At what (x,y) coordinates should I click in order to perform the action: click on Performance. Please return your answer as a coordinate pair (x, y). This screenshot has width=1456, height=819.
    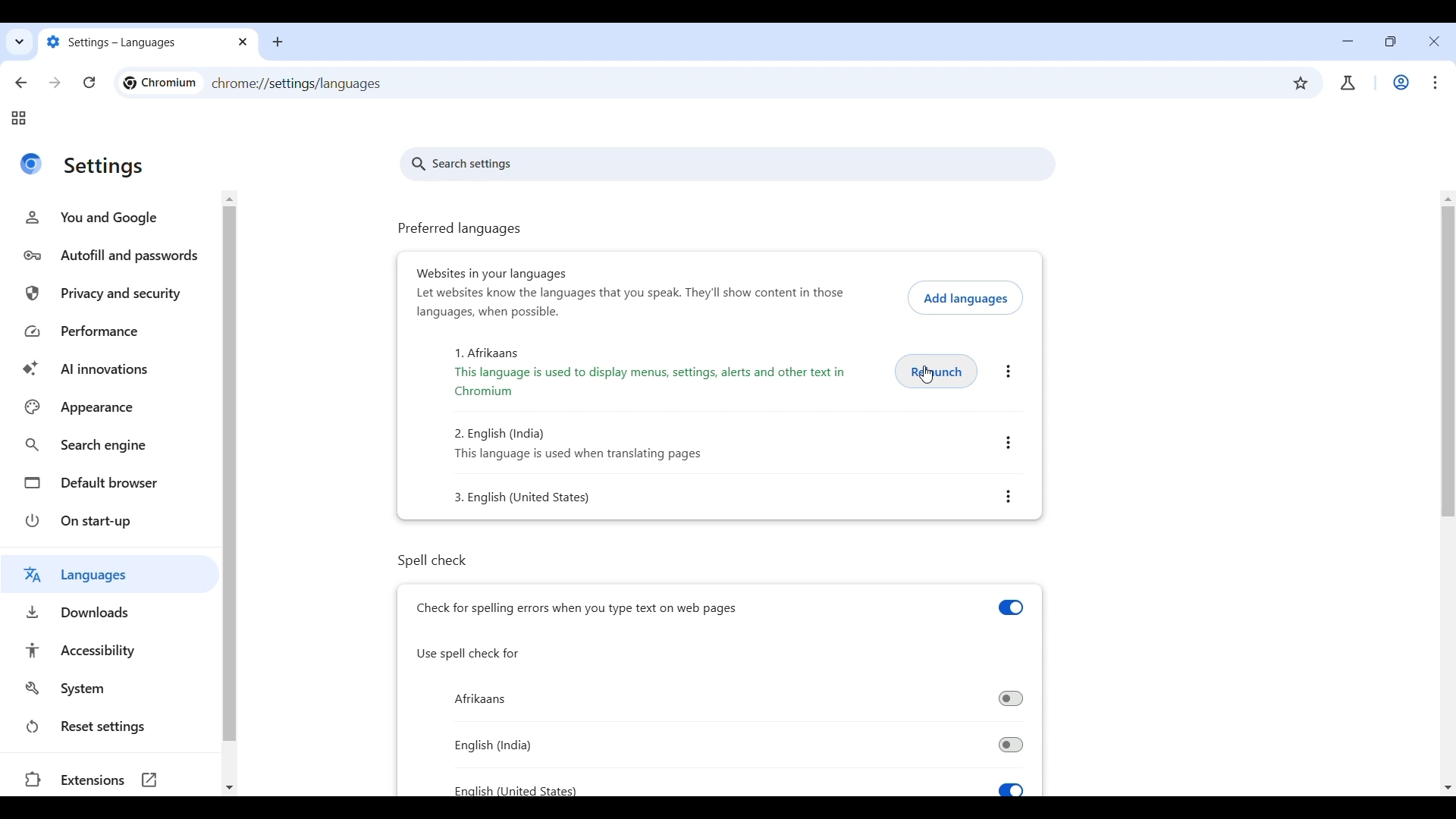
    Looking at the image, I should click on (114, 332).